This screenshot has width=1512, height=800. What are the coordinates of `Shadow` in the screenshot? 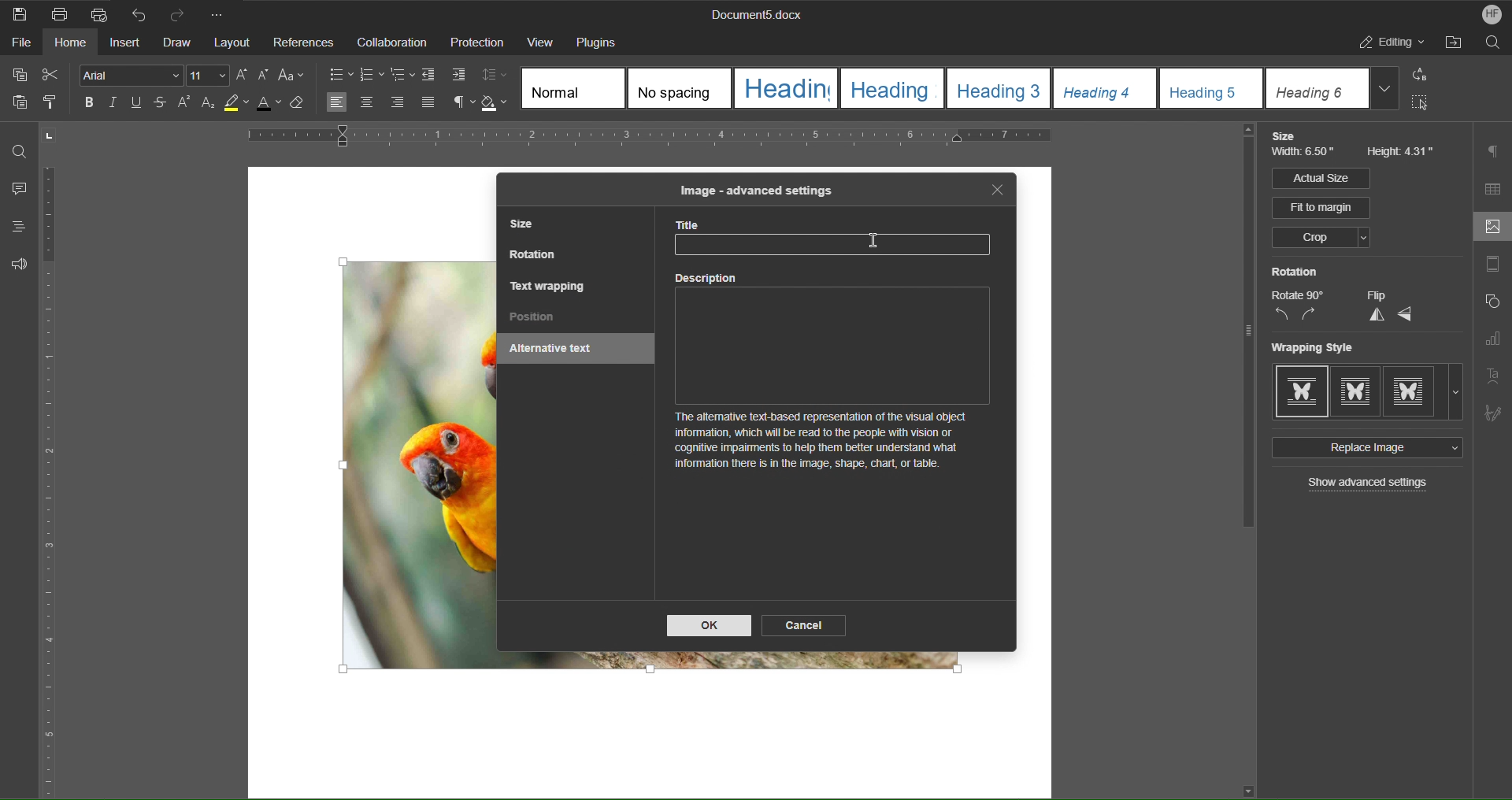 It's located at (497, 103).